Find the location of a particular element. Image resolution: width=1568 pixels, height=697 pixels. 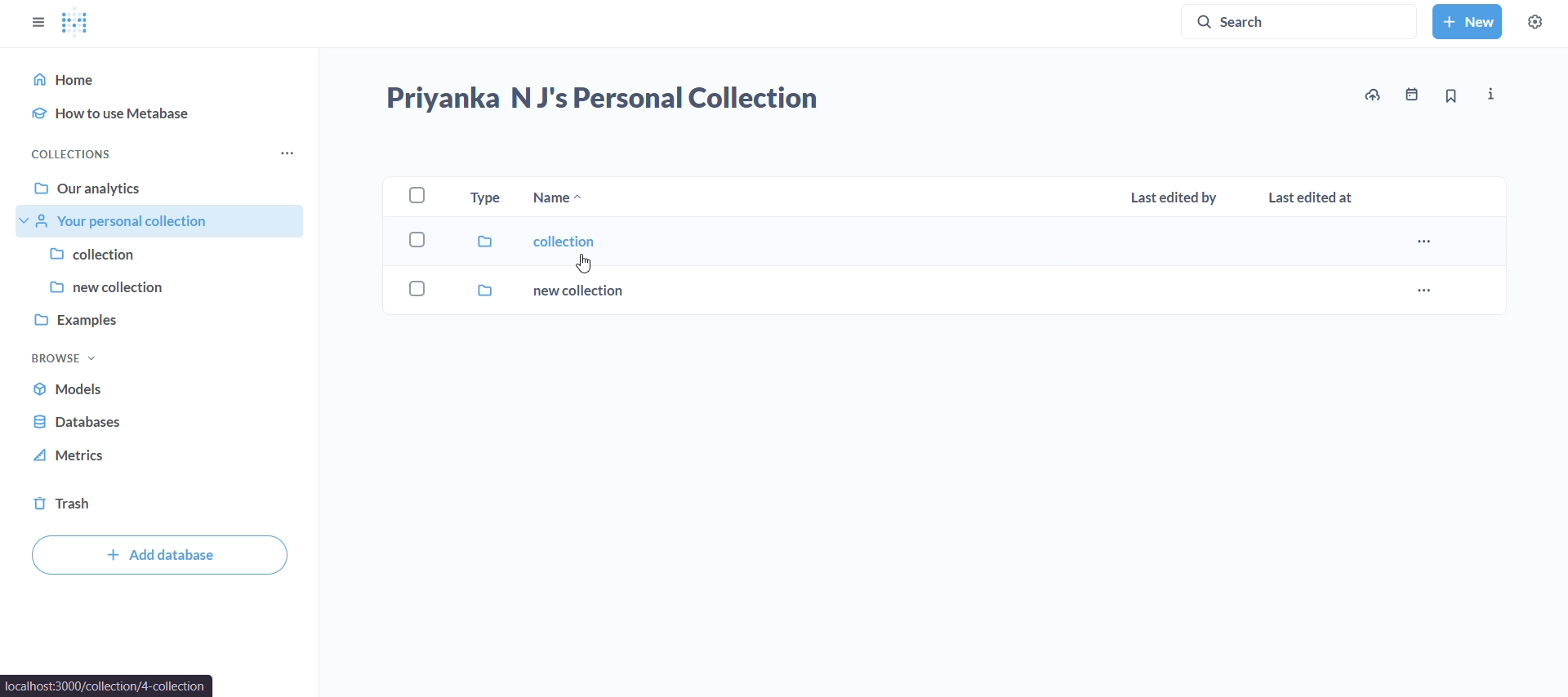

search is located at coordinates (1303, 20).